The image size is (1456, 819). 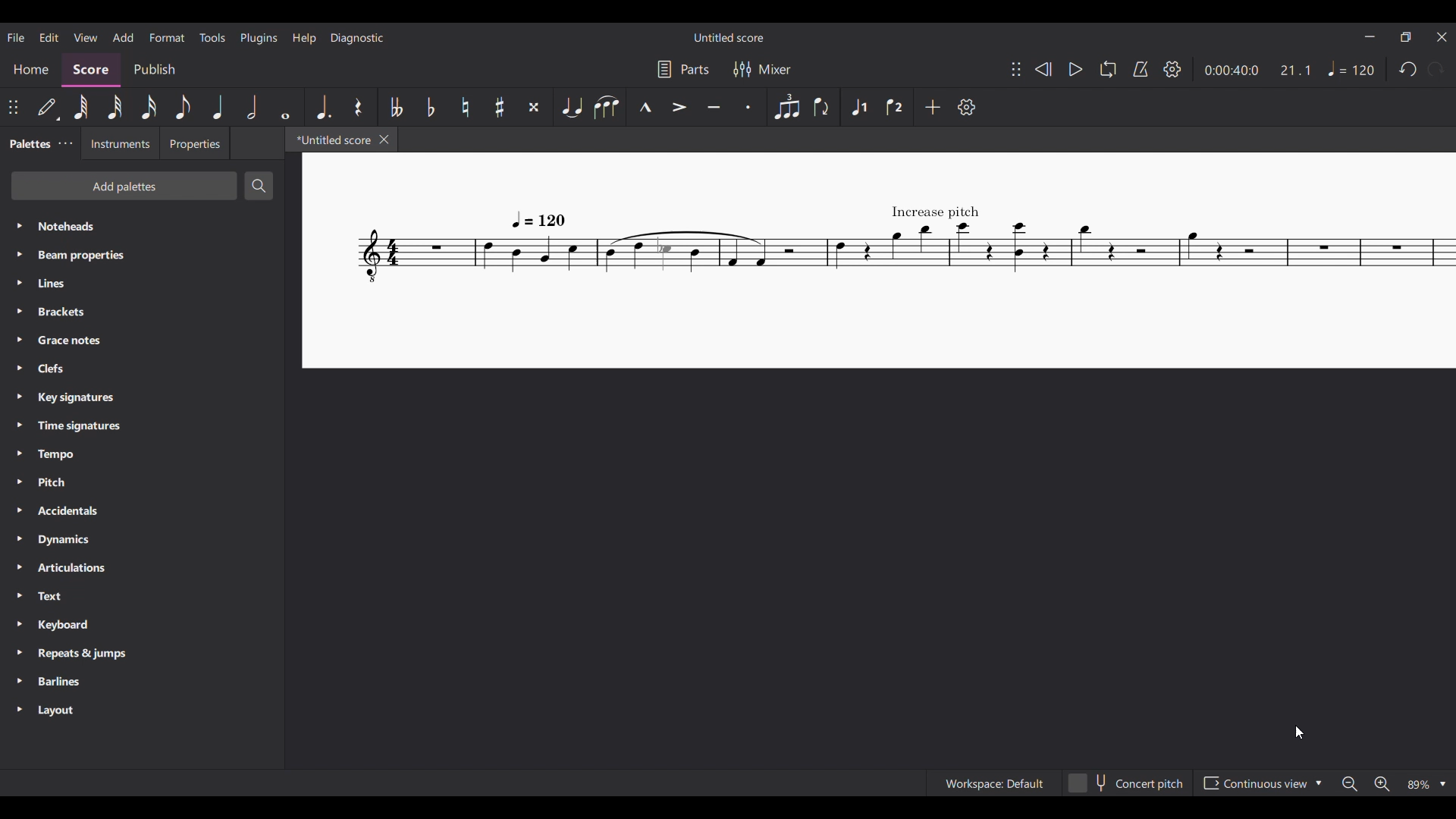 What do you see at coordinates (607, 107) in the screenshot?
I see `Slur` at bounding box center [607, 107].